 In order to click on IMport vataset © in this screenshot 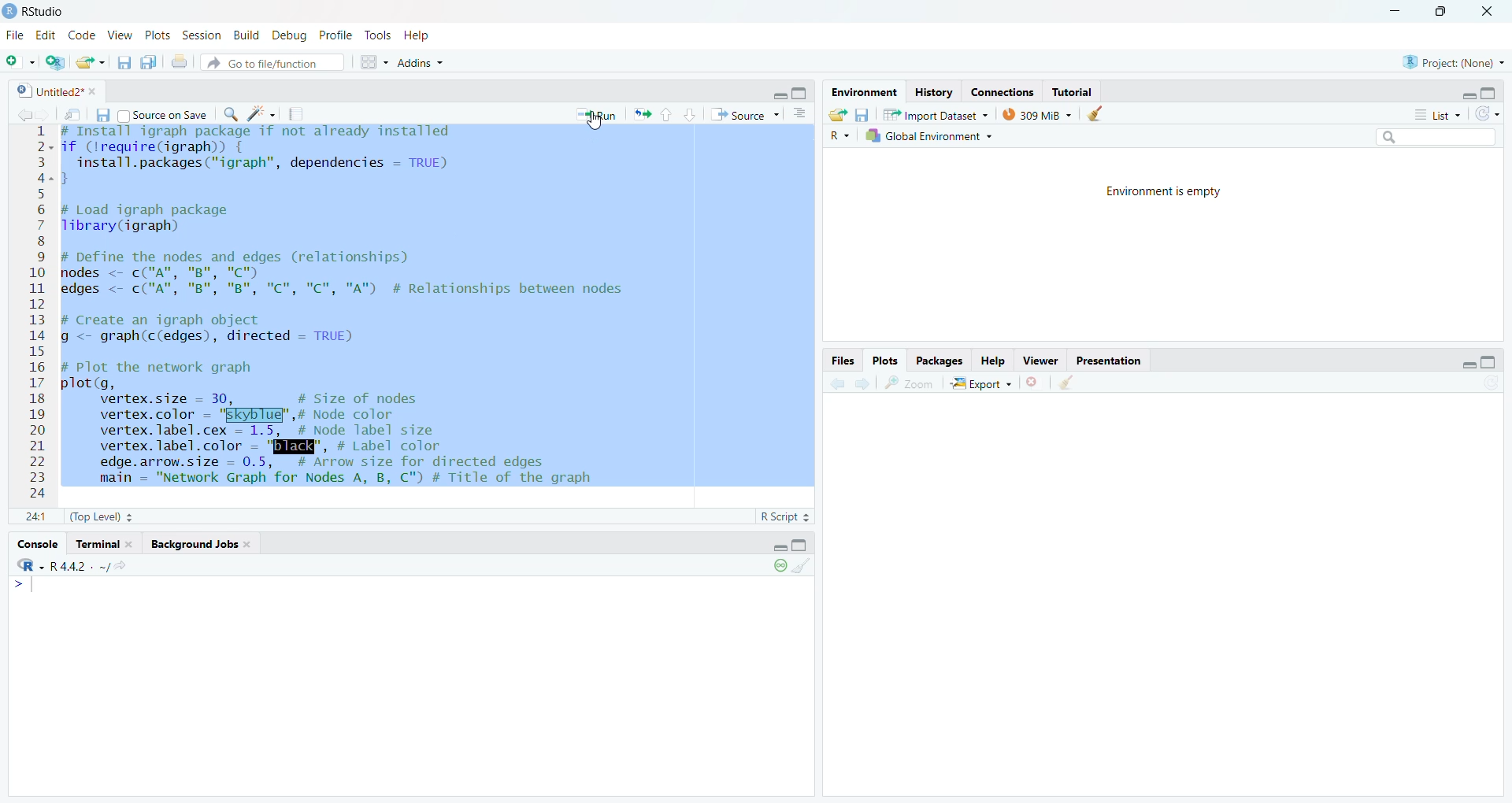, I will do `click(933, 117)`.